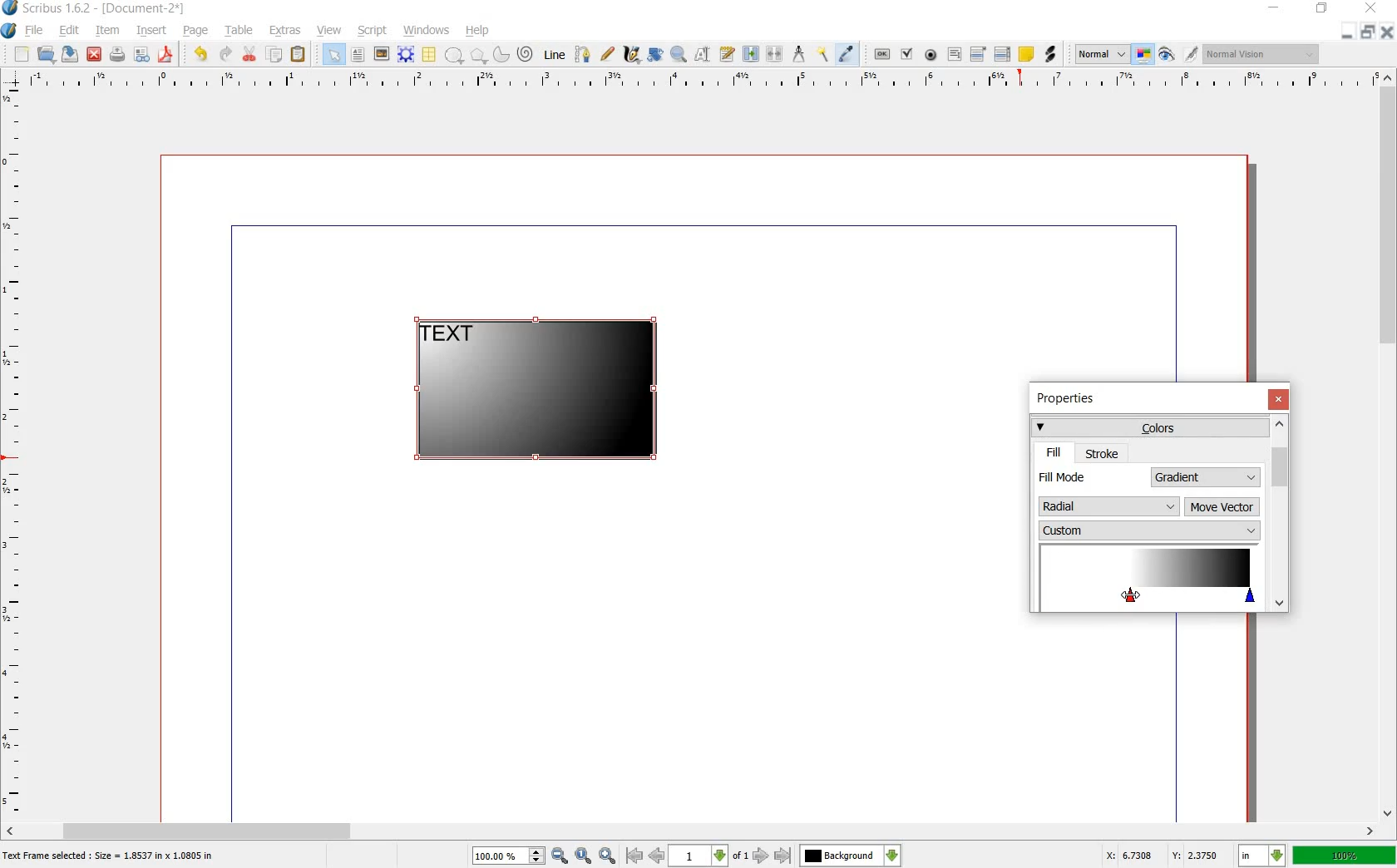  I want to click on scrollbar, so click(1279, 513).